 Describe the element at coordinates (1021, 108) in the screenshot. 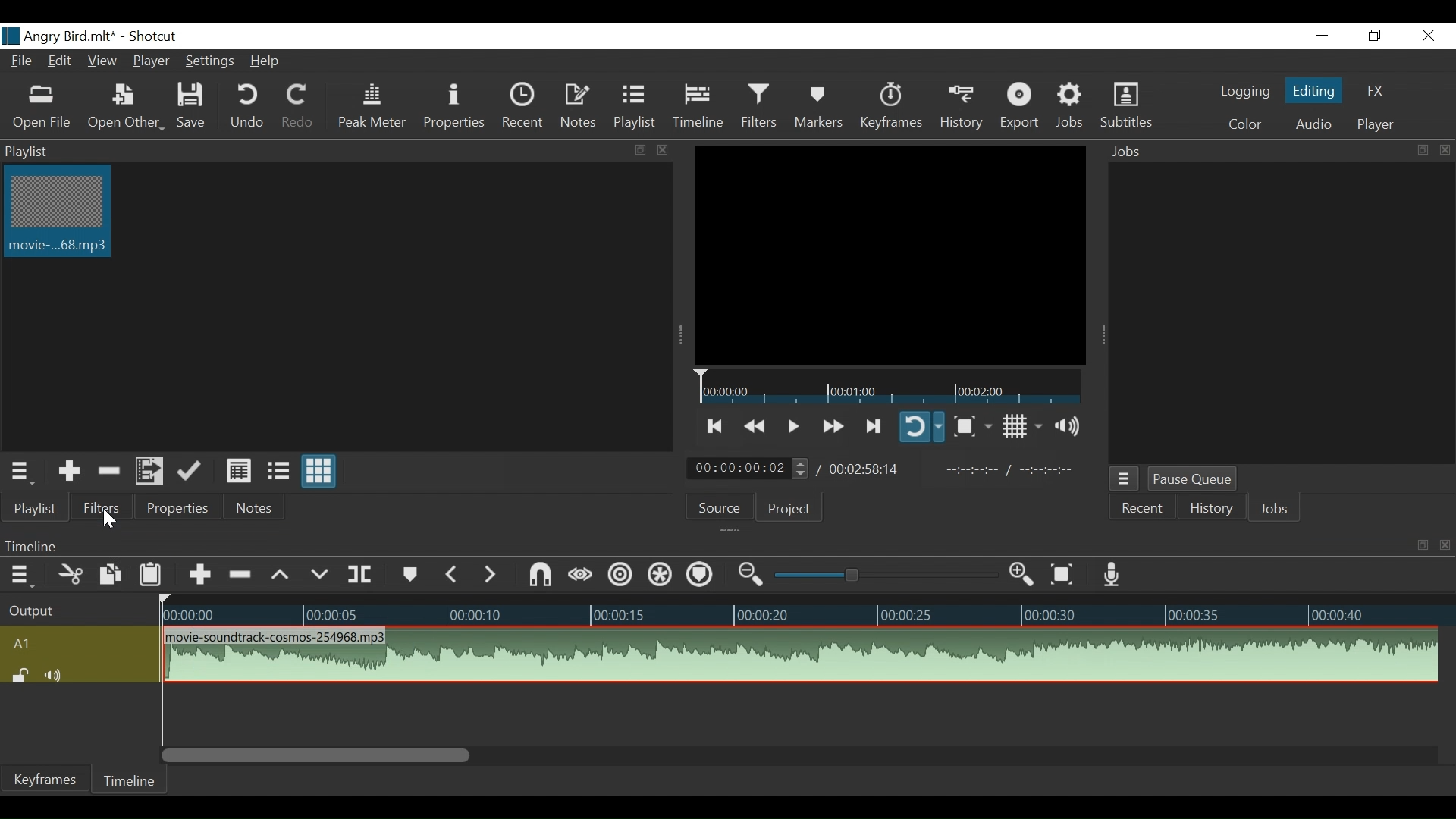

I see `Export` at that location.